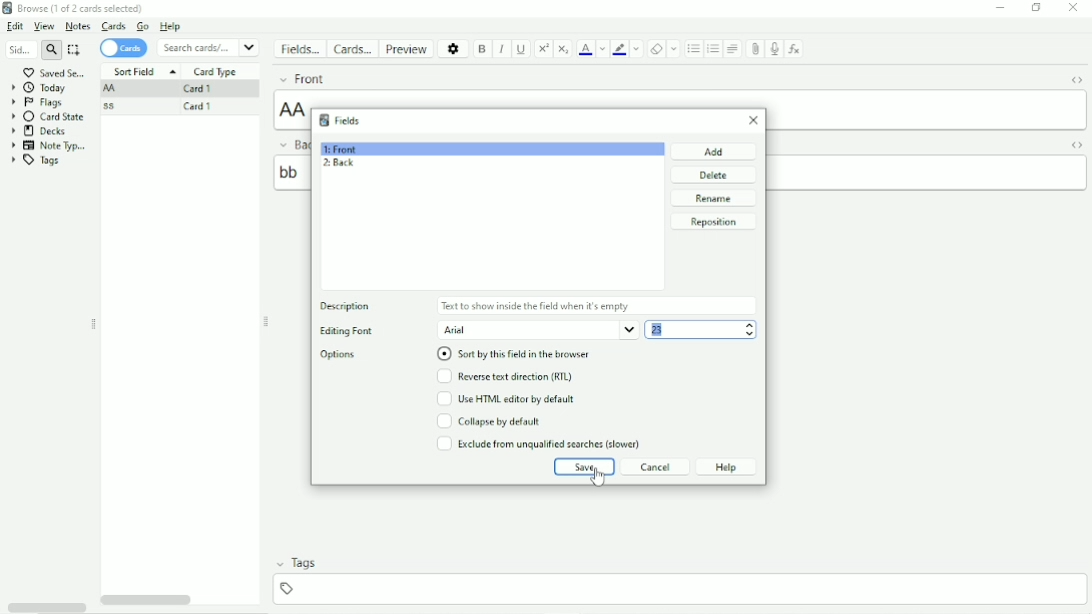  I want to click on Change color, so click(602, 49).